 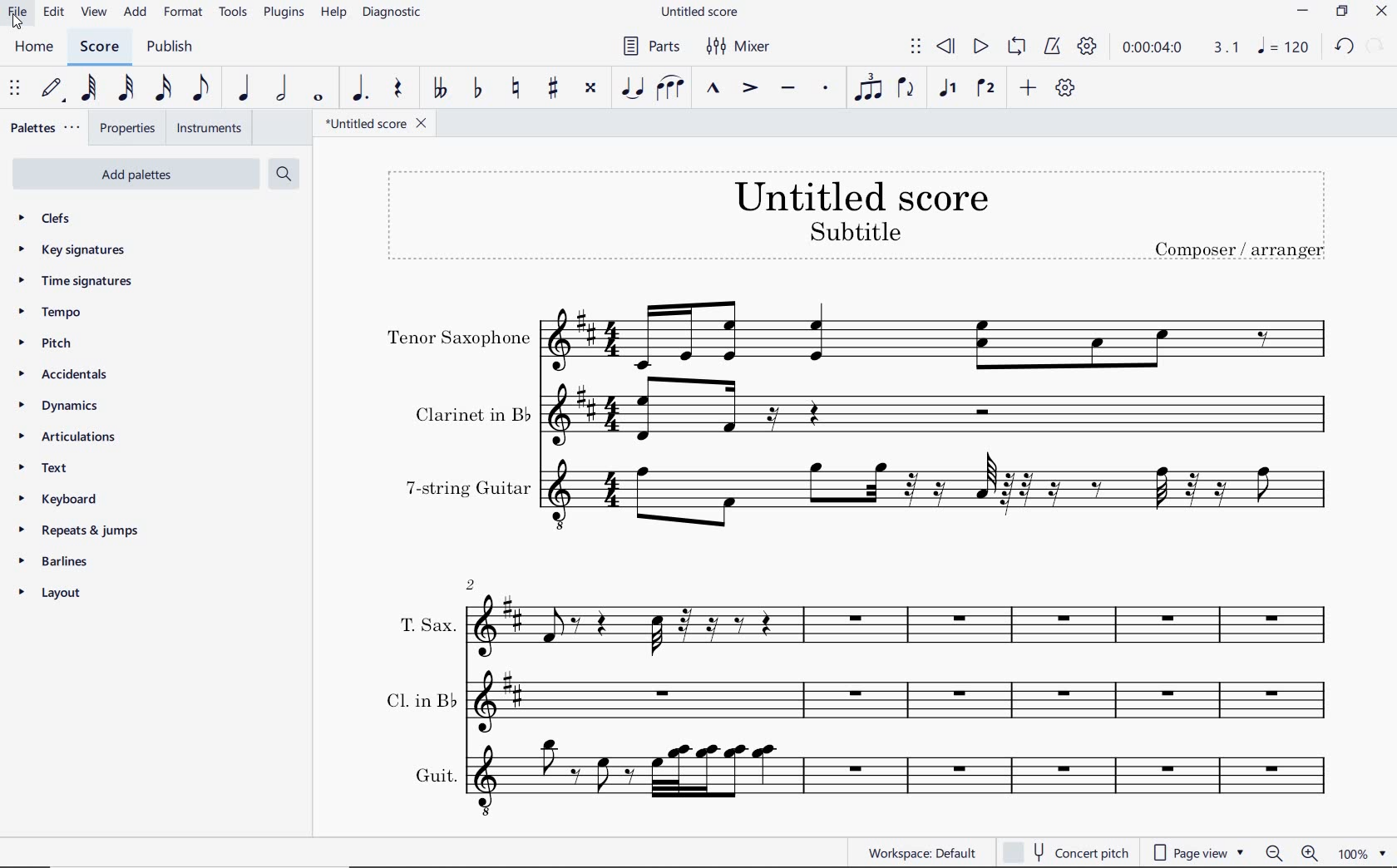 I want to click on CLOSE, so click(x=1381, y=11).